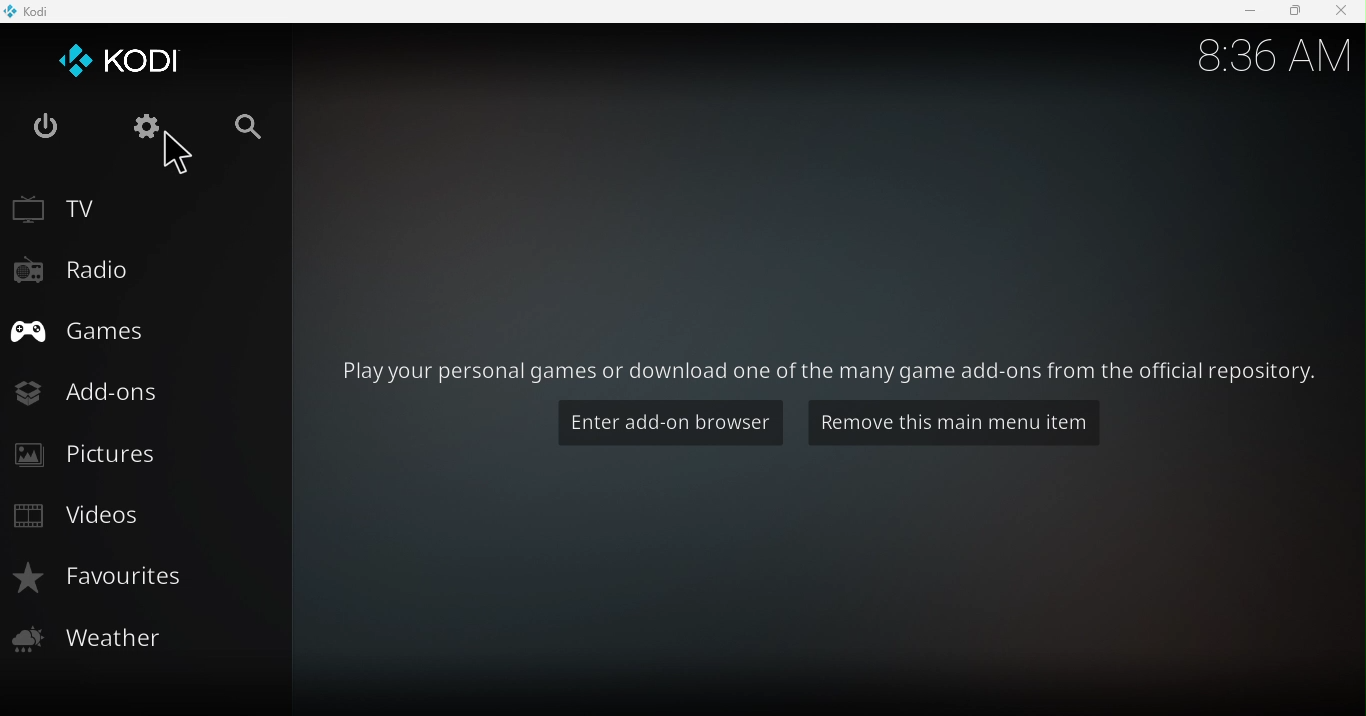 This screenshot has width=1366, height=716. I want to click on Kodi icon, so click(125, 59).